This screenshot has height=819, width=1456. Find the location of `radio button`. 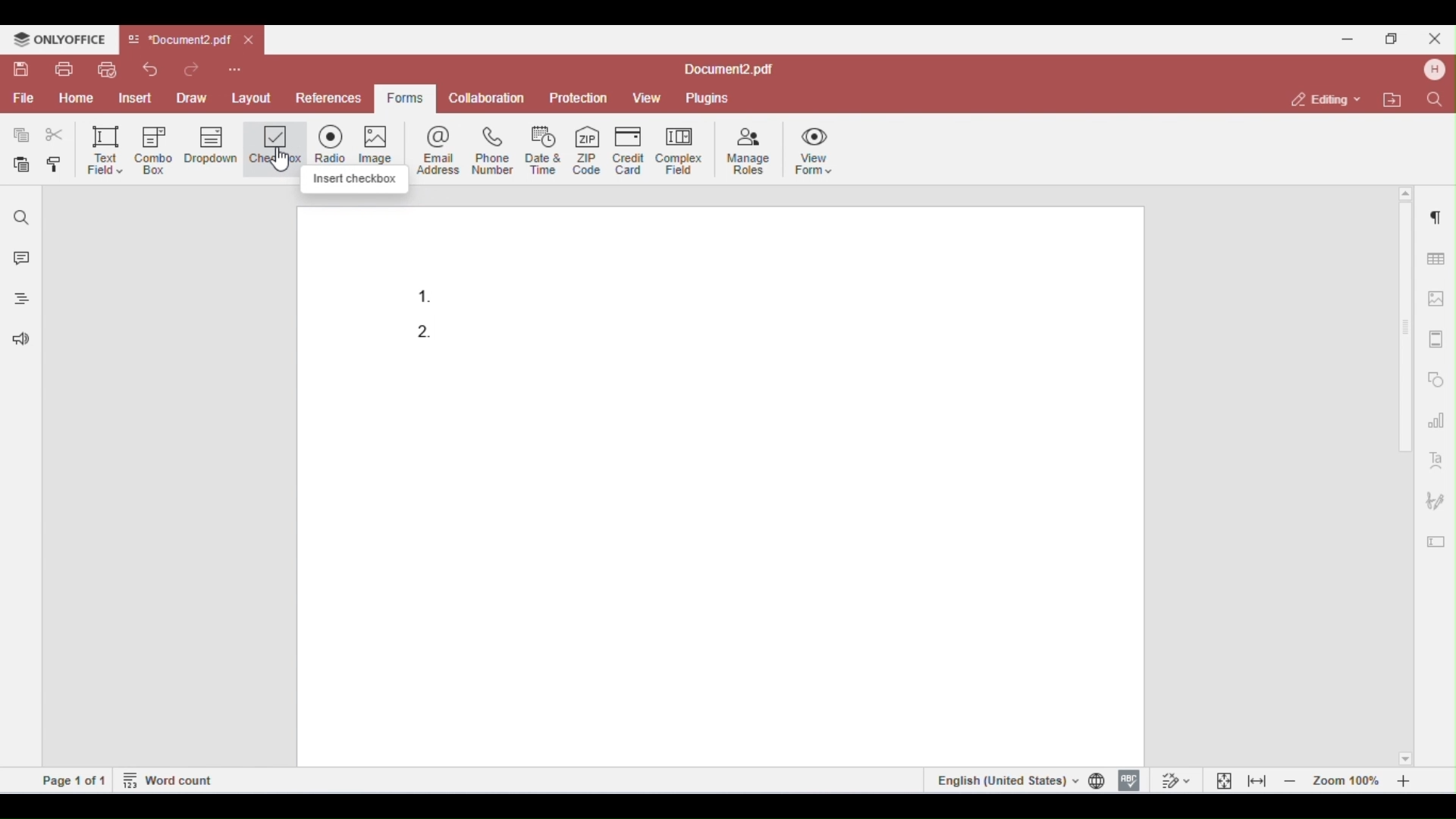

radio button is located at coordinates (335, 142).